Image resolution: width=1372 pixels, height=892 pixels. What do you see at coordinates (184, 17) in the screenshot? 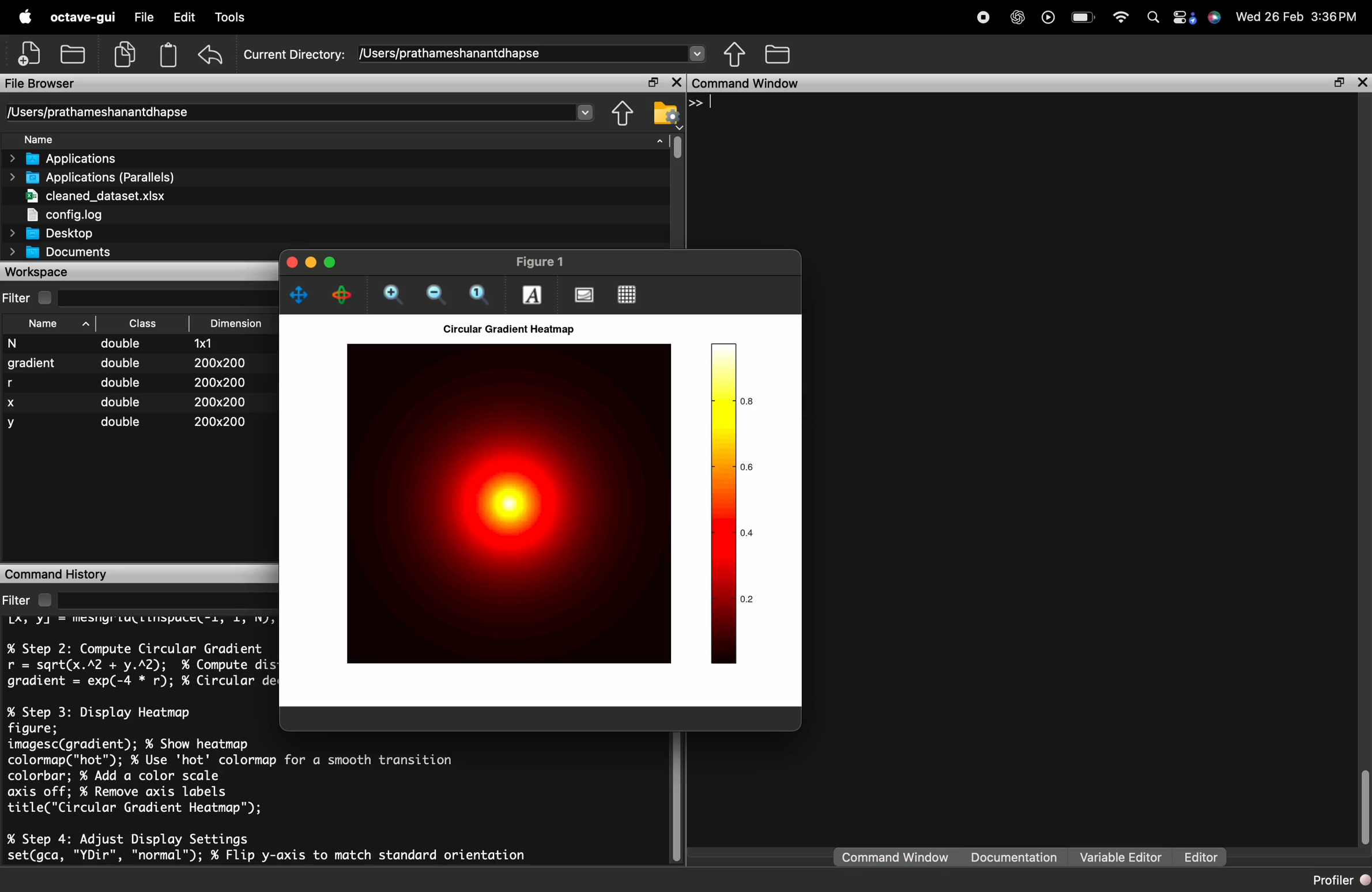
I see `Edit` at bounding box center [184, 17].